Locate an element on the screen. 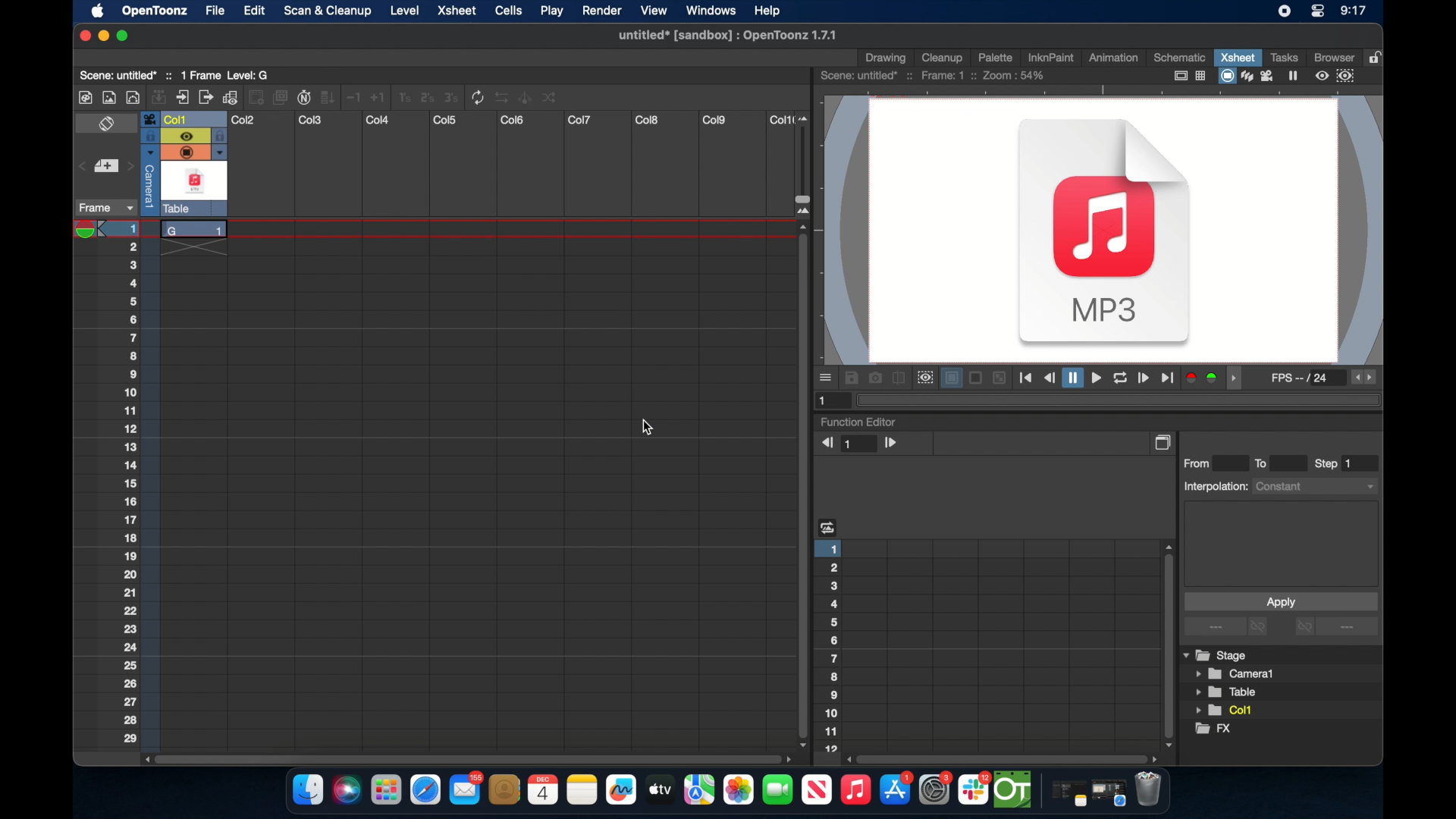 This screenshot has height=819, width=1456. toggle x sheet is located at coordinates (108, 125).